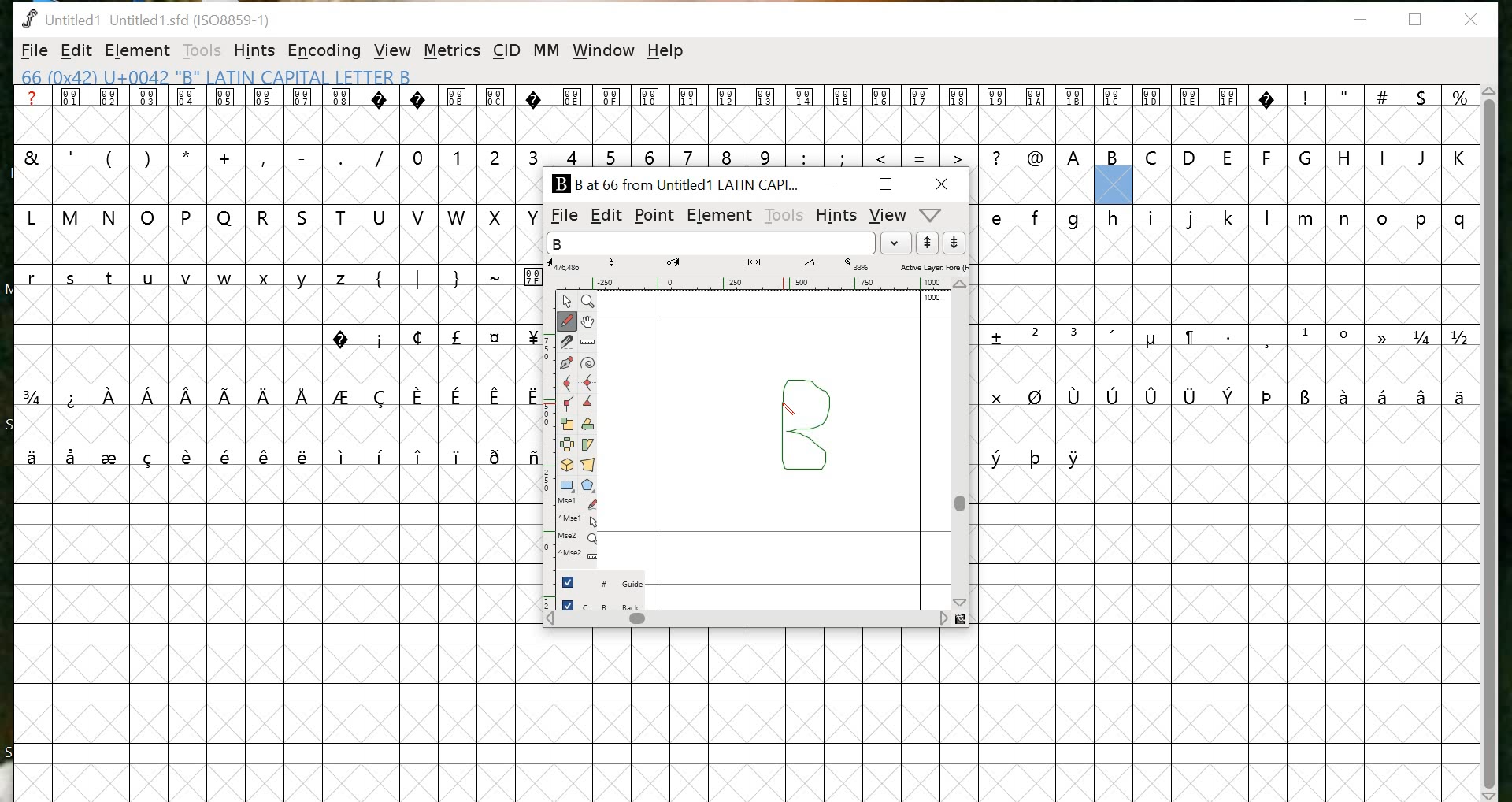 This screenshot has width=1512, height=802. What do you see at coordinates (324, 50) in the screenshot?
I see `ENCODING` at bounding box center [324, 50].